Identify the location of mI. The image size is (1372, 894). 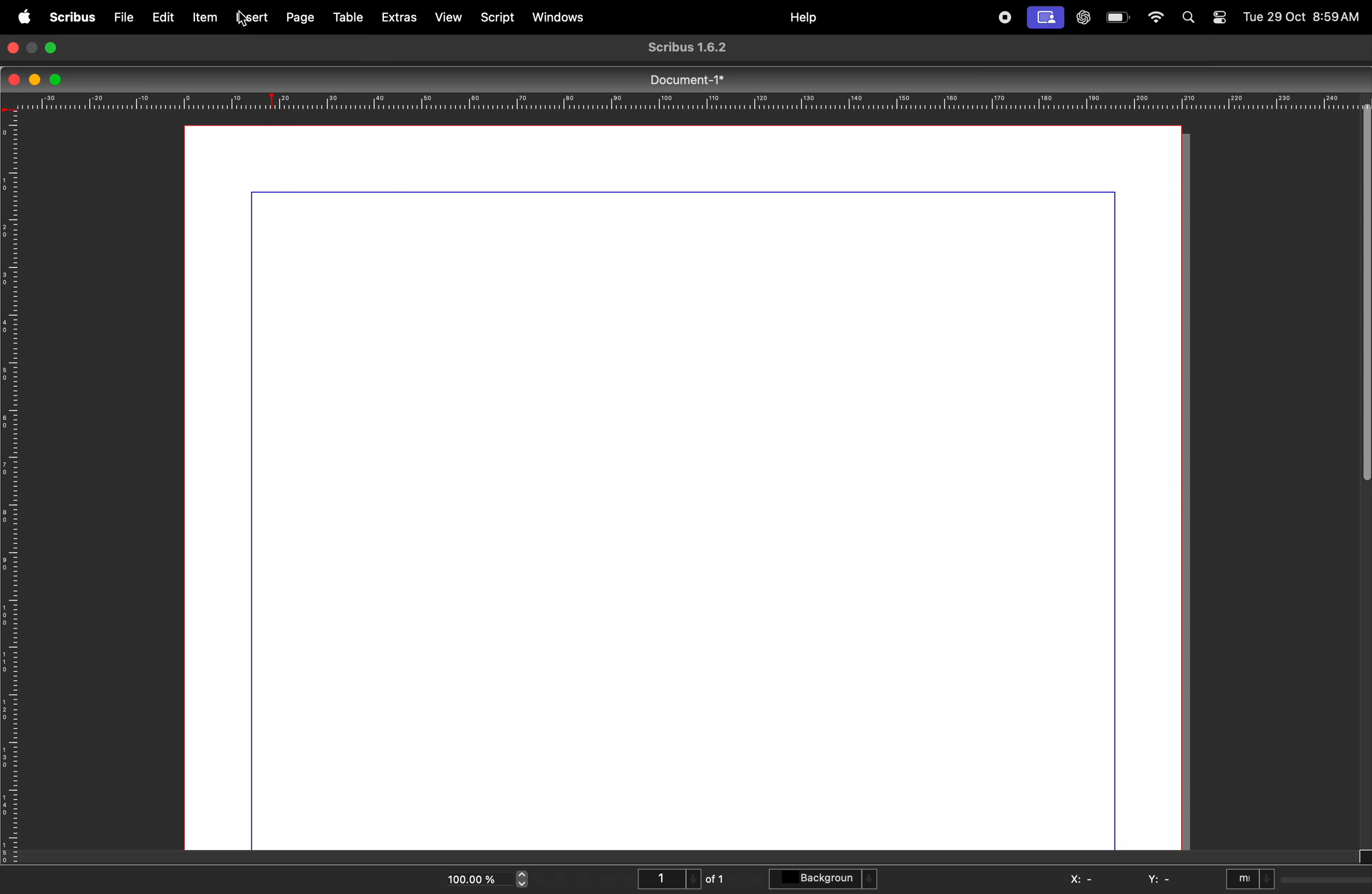
(1250, 877).